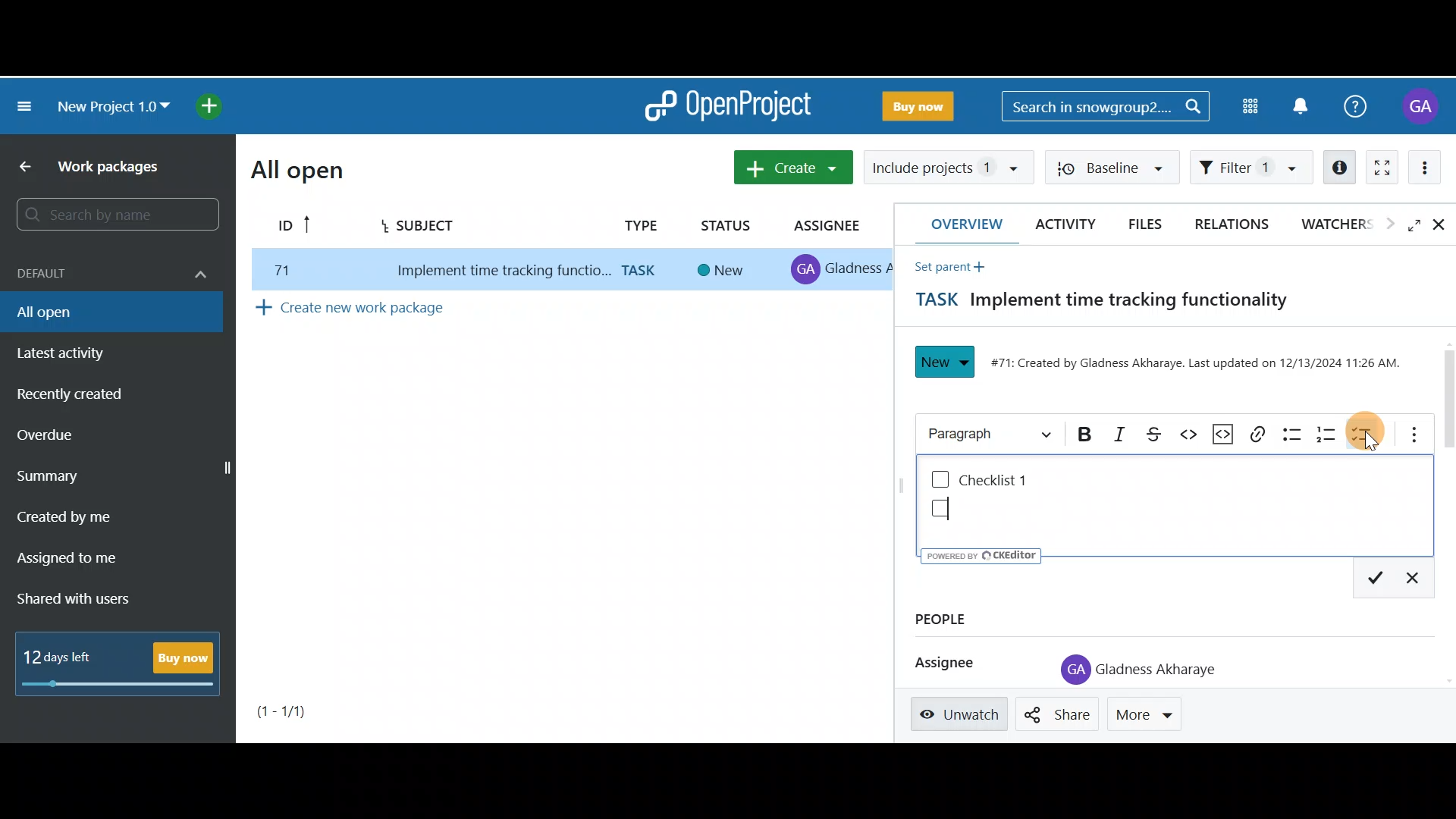 This screenshot has height=819, width=1456. I want to click on Activate zen mode, so click(1384, 168).